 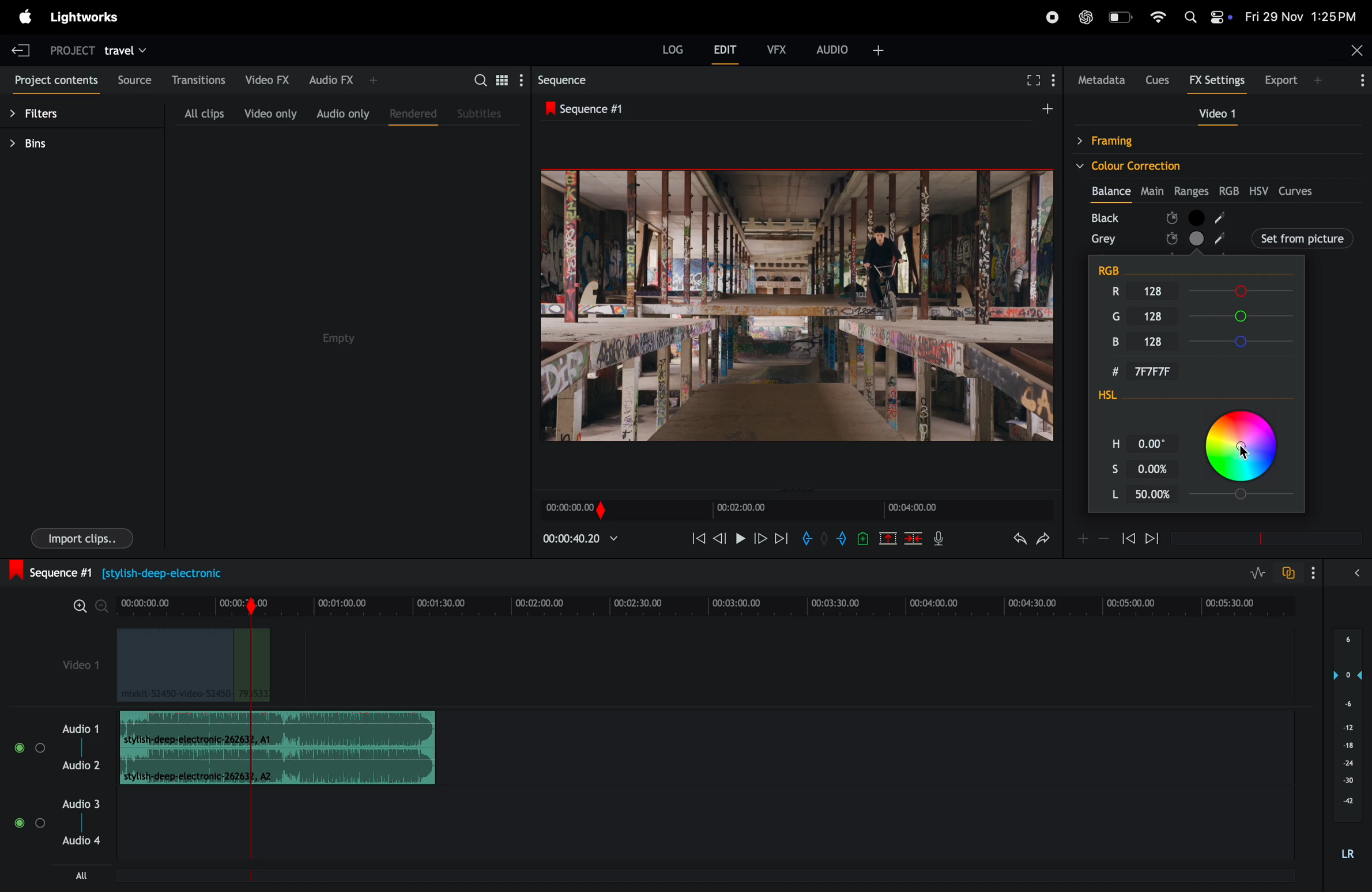 I want to click on fullscreen, so click(x=1028, y=82).